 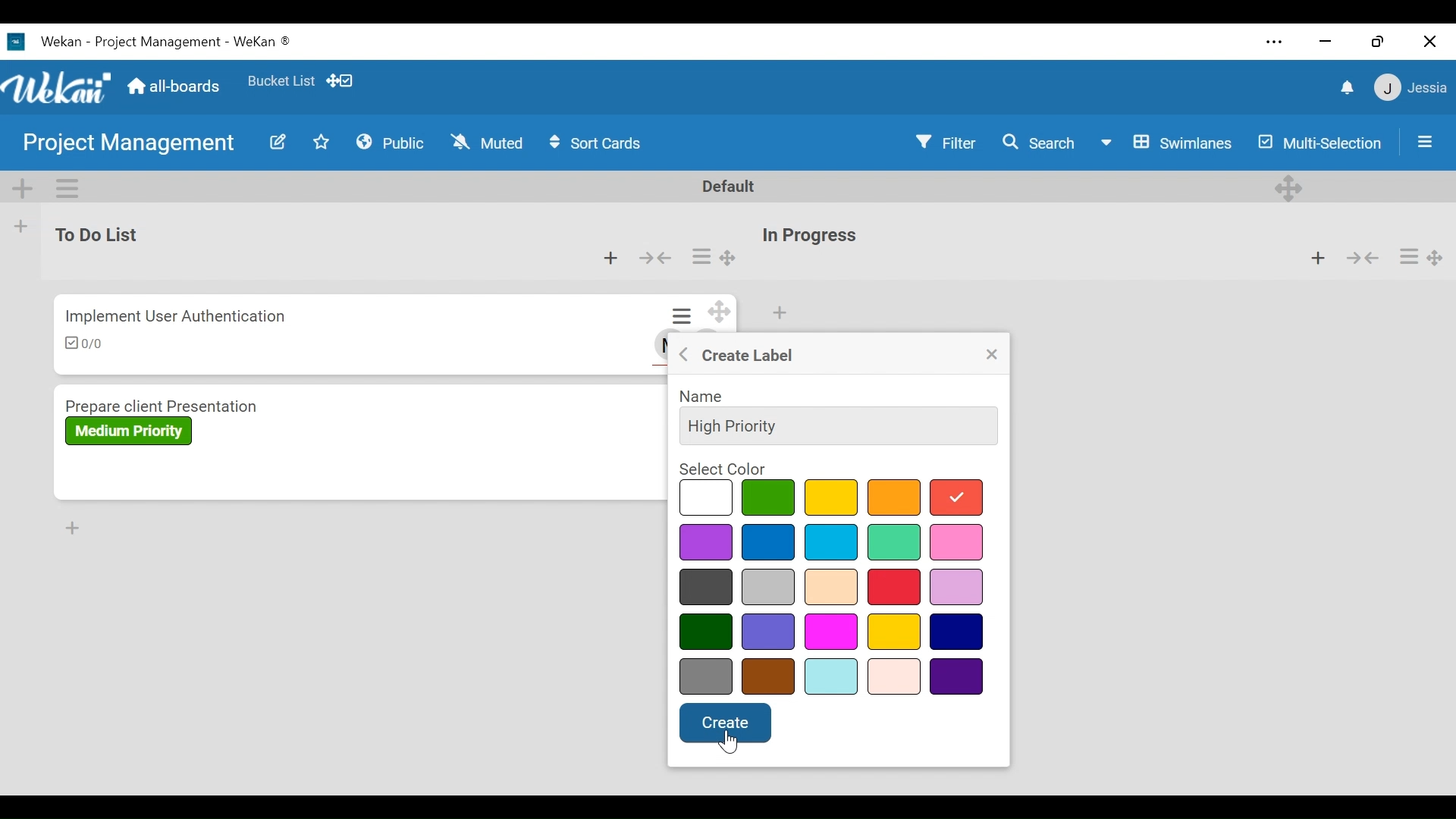 I want to click on settings and more, so click(x=1277, y=43).